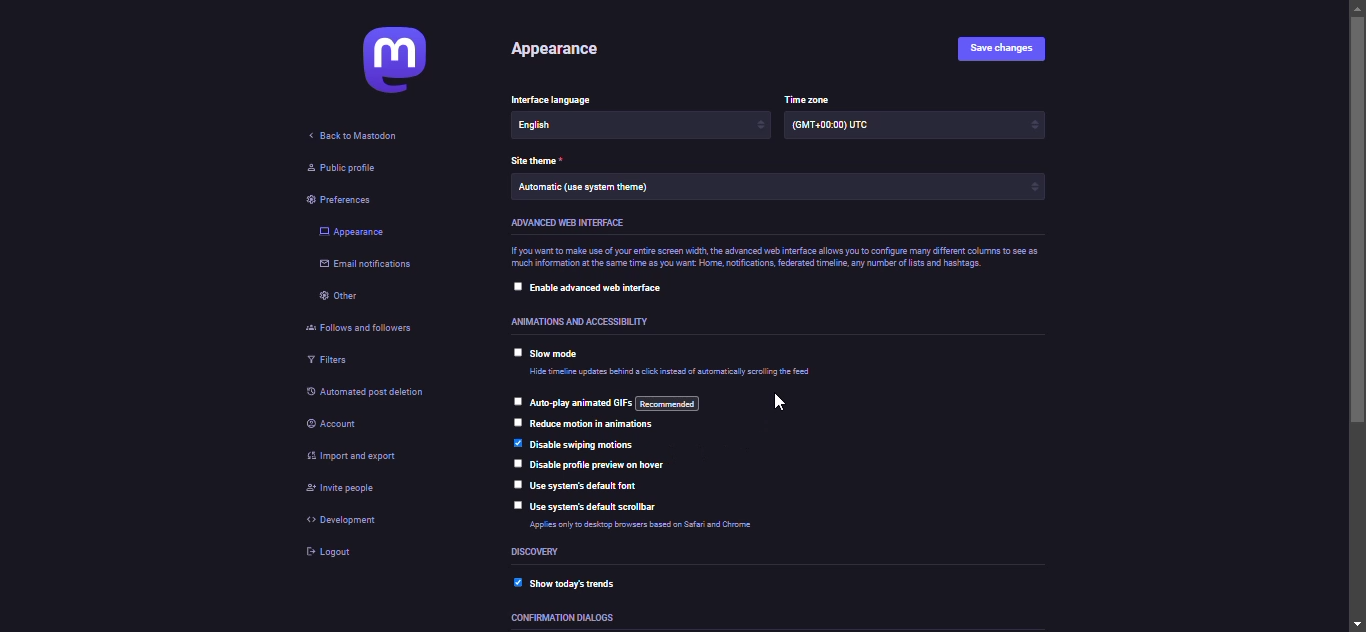  What do you see at coordinates (517, 398) in the screenshot?
I see `click to select` at bounding box center [517, 398].